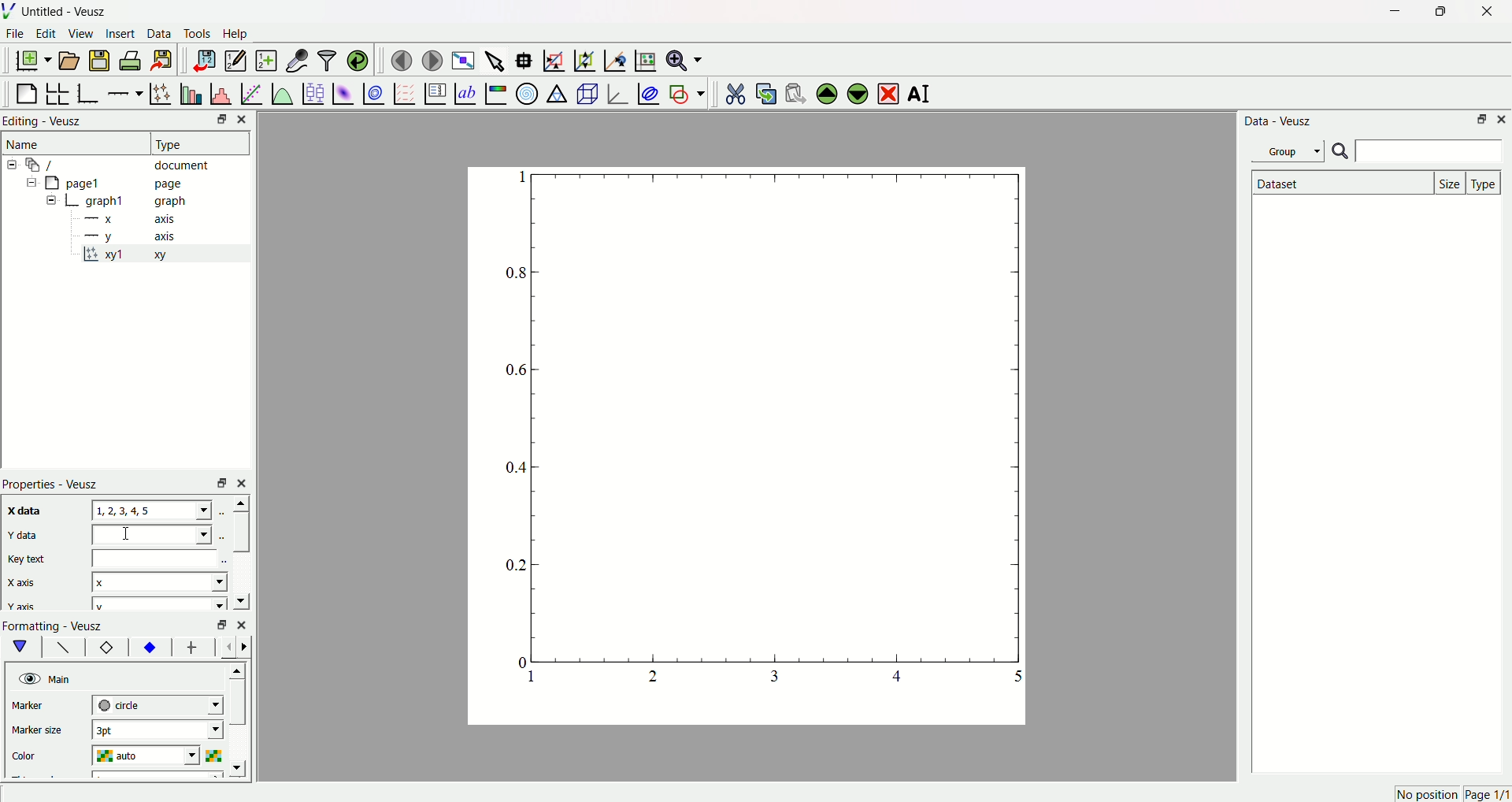 The image size is (1512, 802). Describe the element at coordinates (153, 511) in the screenshot. I see `1, 2, 3, 4, 5` at that location.